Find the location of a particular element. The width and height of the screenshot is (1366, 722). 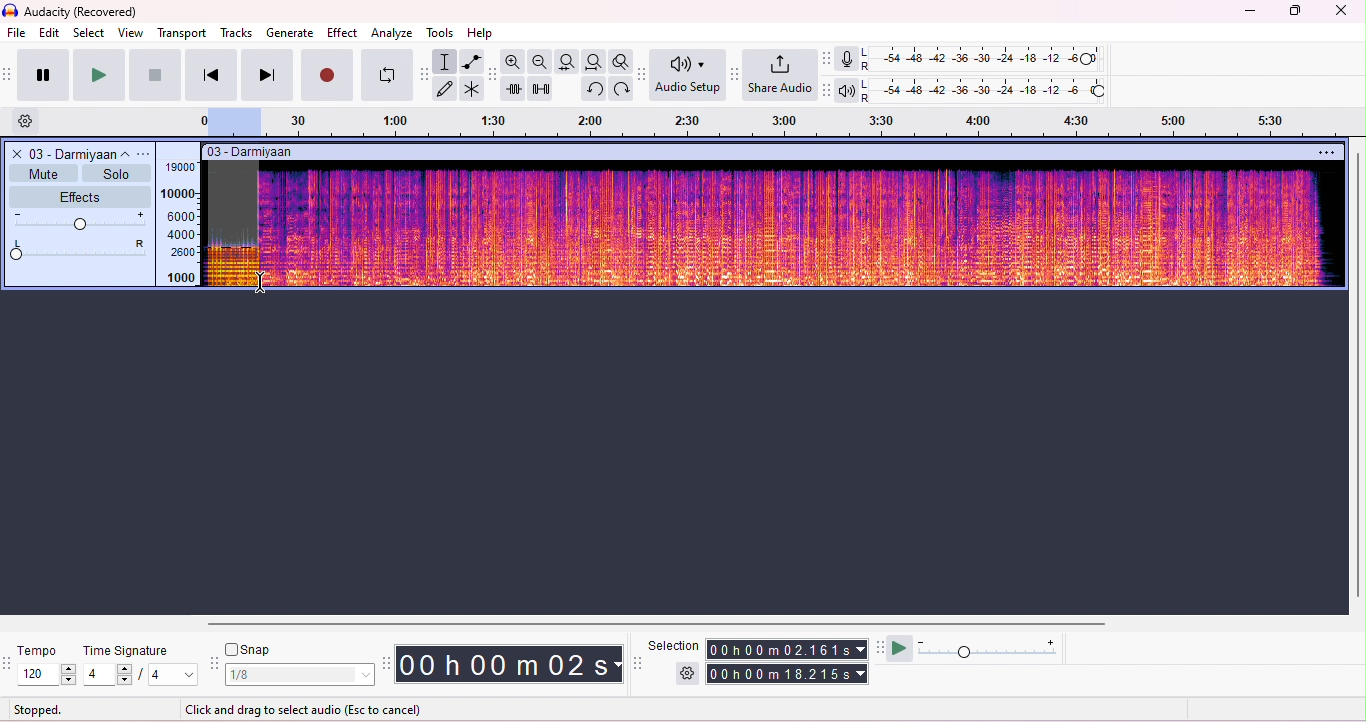

options is located at coordinates (1325, 152).